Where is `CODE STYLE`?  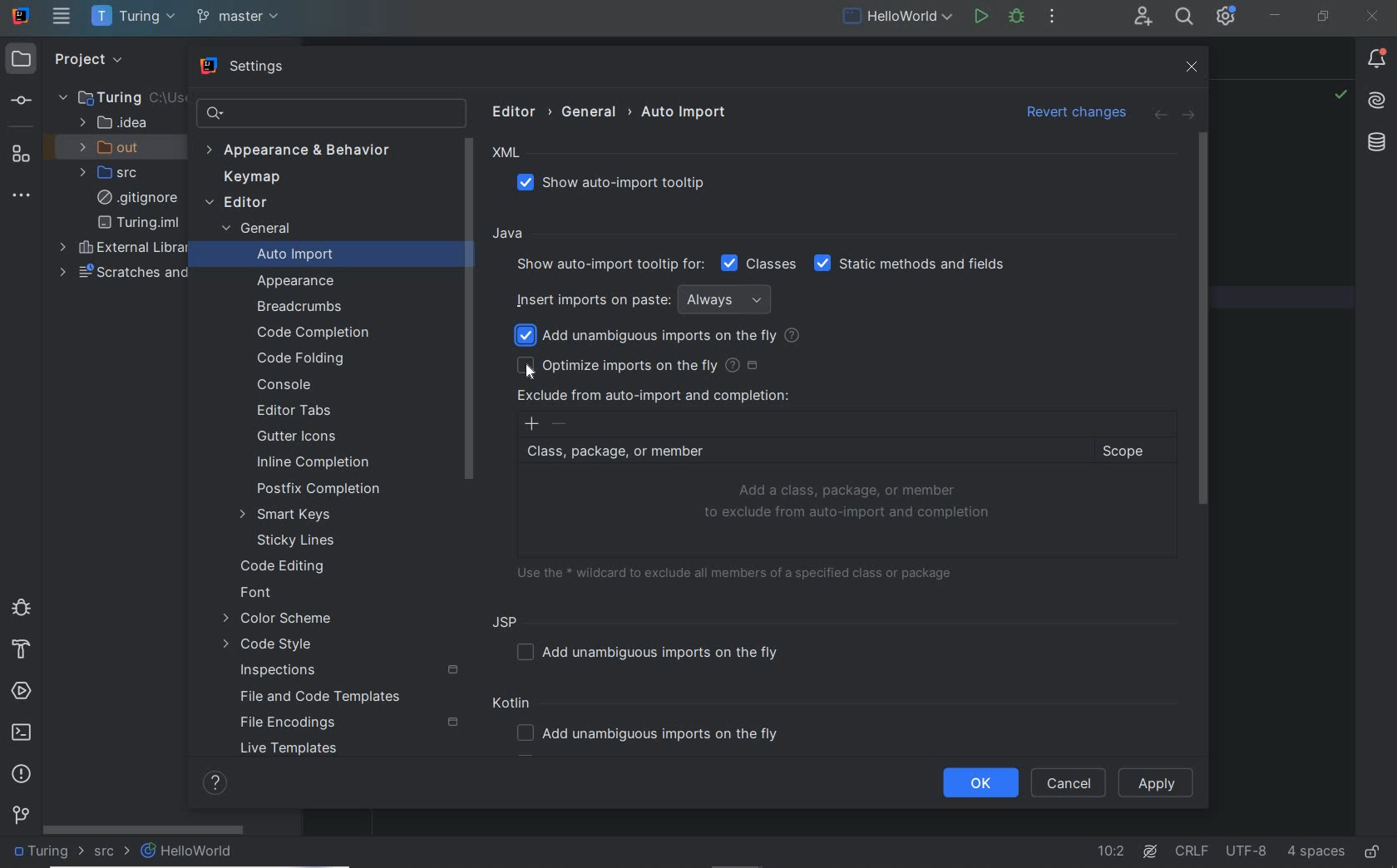 CODE STYLE is located at coordinates (273, 646).